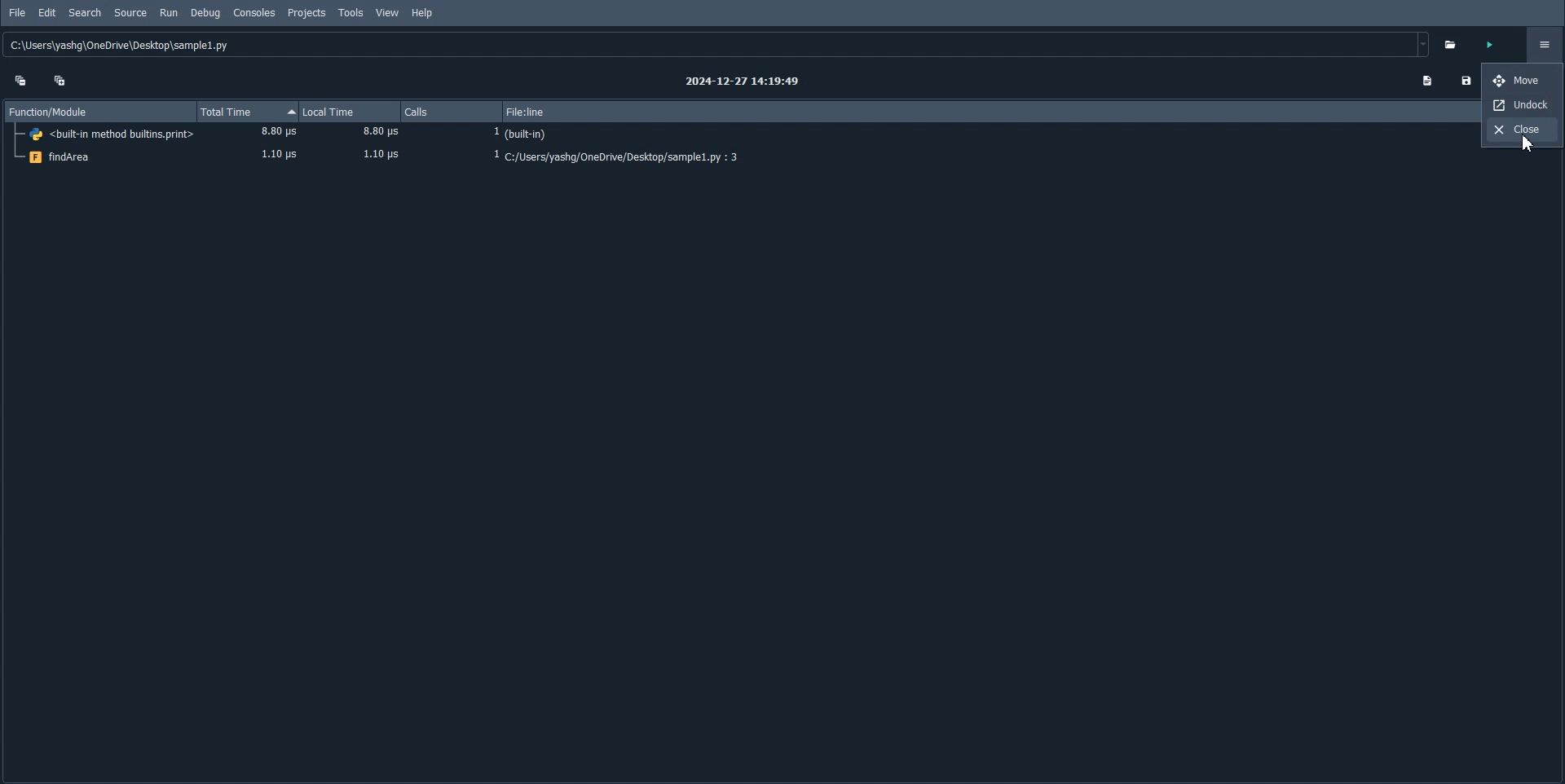 Image resolution: width=1565 pixels, height=784 pixels. I want to click on File, so click(18, 13).